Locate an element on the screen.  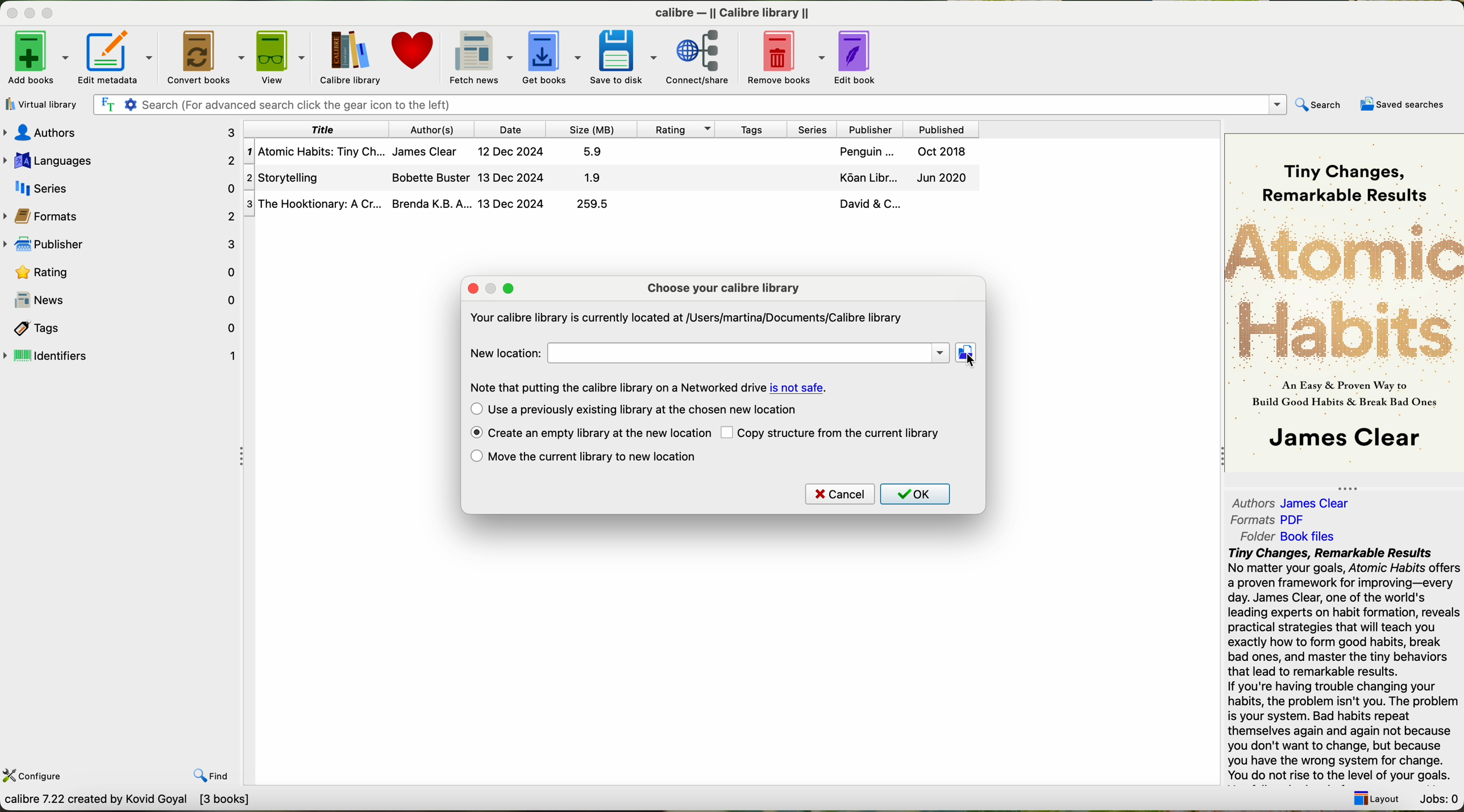
view is located at coordinates (281, 57).